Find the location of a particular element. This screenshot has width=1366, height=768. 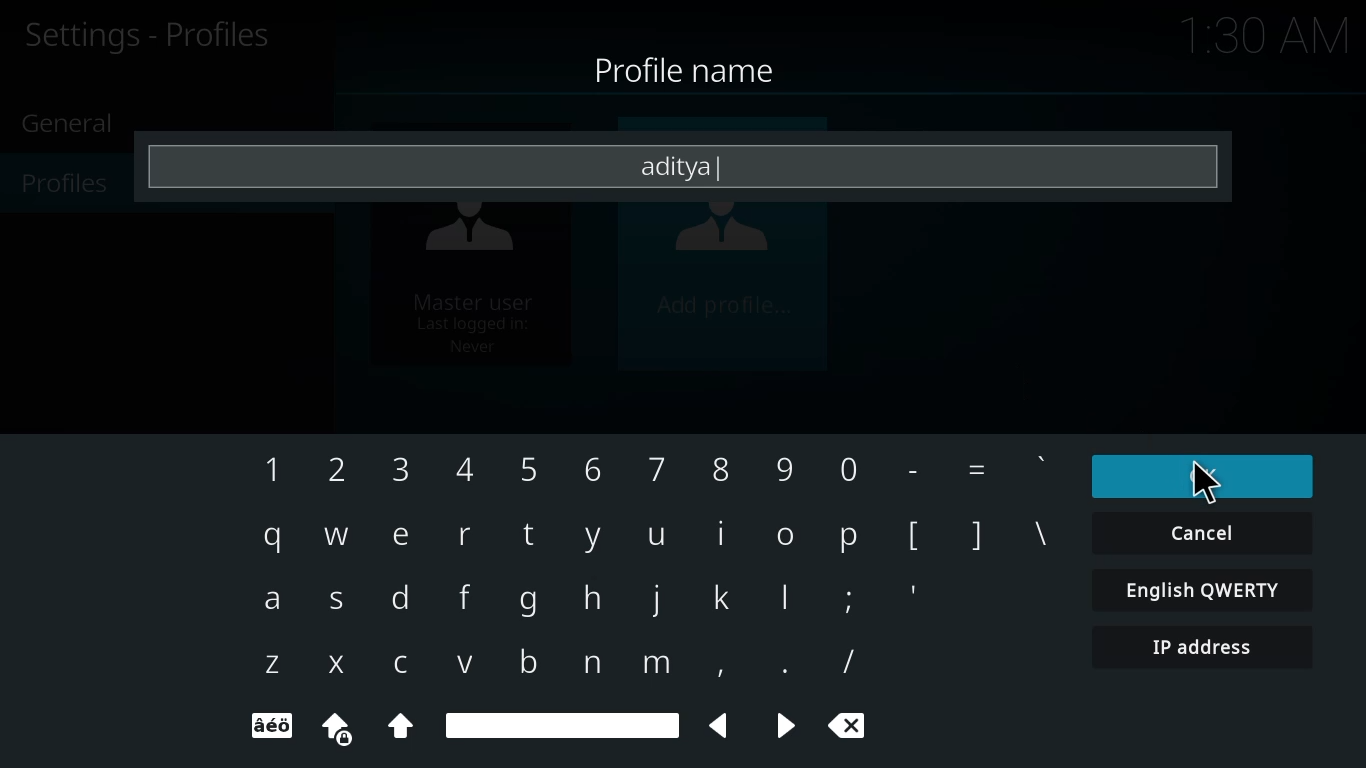

n is located at coordinates (589, 666).